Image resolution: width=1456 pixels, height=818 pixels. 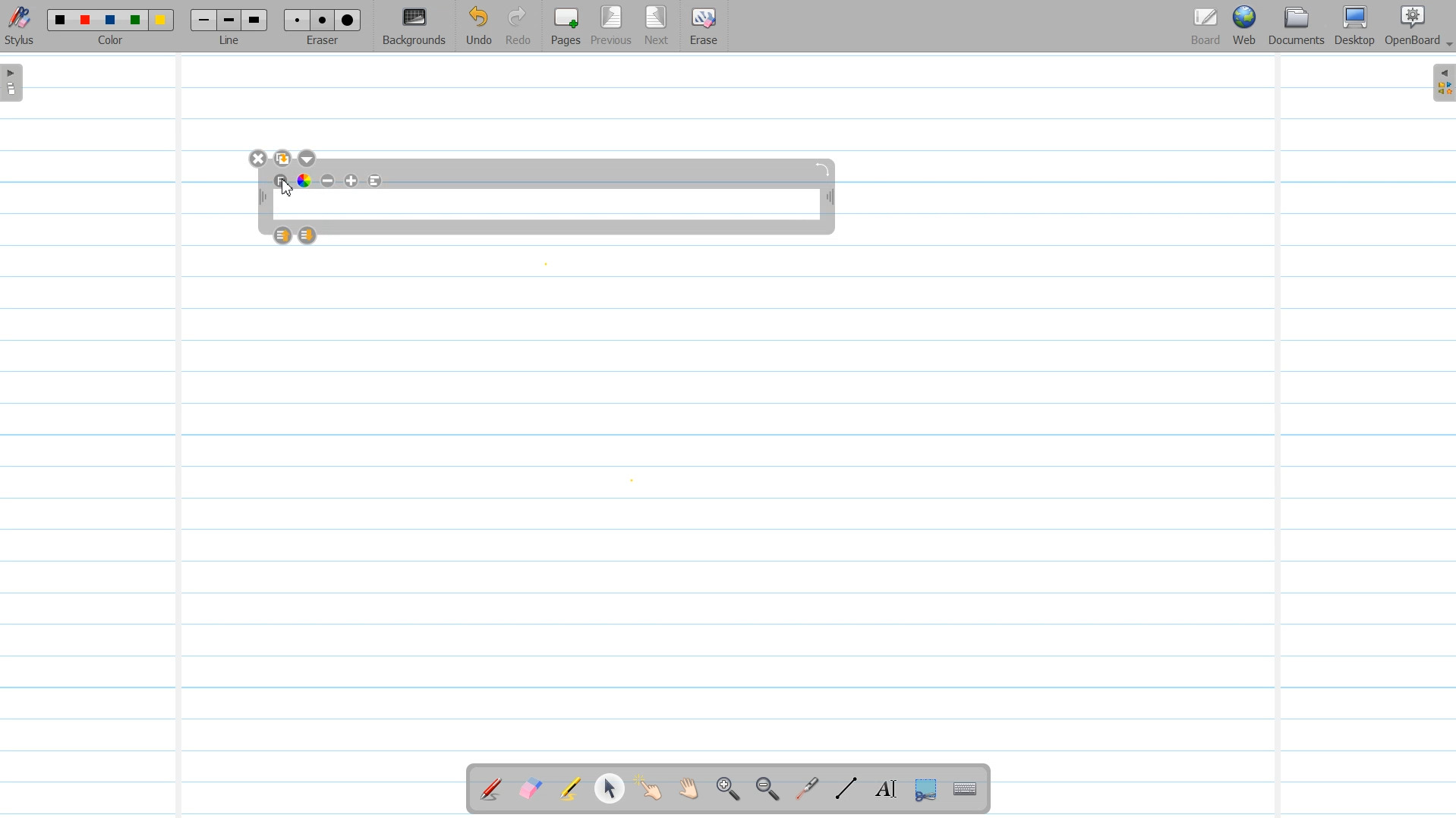 I want to click on Web, so click(x=1246, y=27).